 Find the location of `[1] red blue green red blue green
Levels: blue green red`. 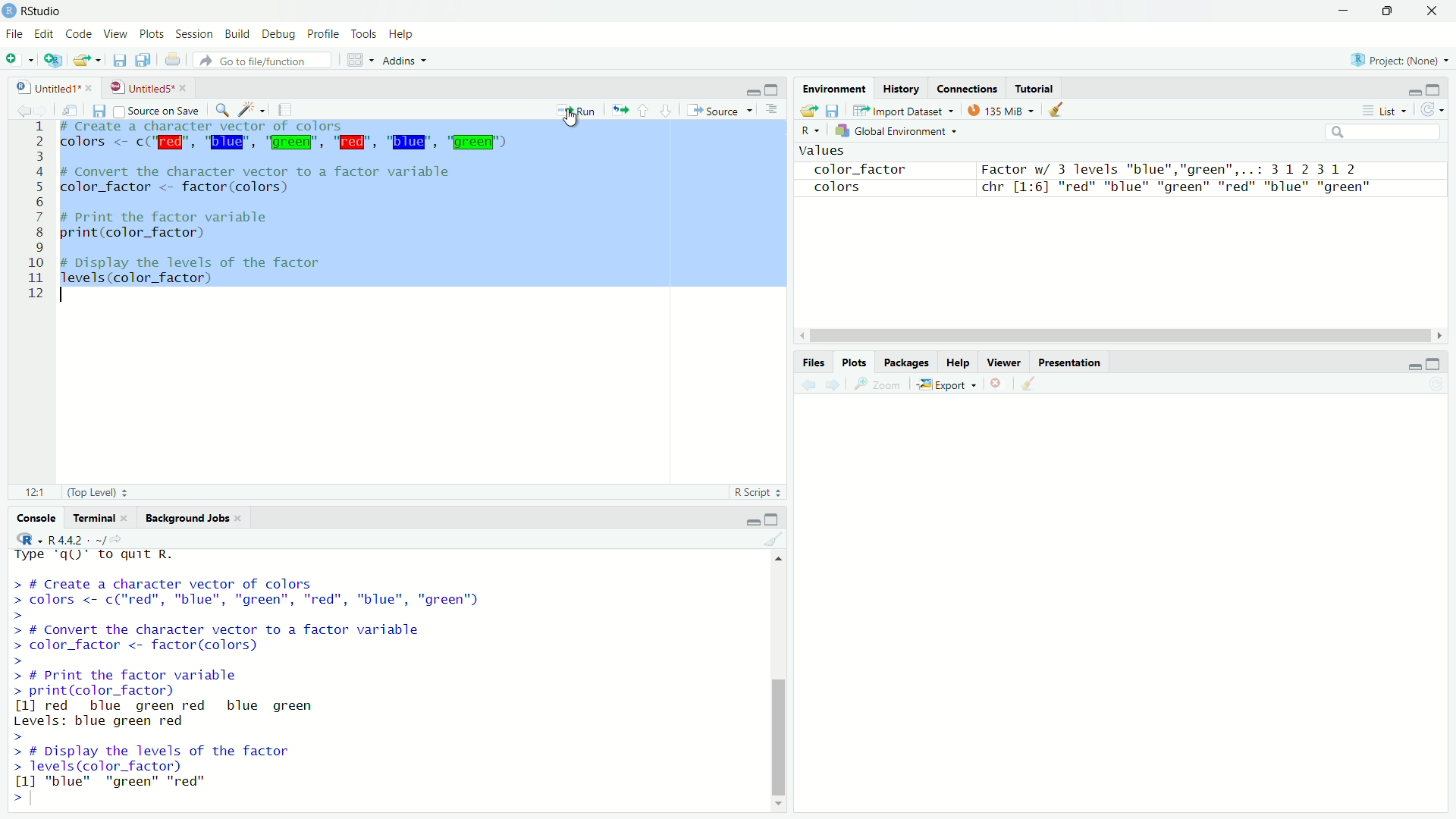

[1] red blue green red blue green
Levels: blue green red is located at coordinates (185, 715).